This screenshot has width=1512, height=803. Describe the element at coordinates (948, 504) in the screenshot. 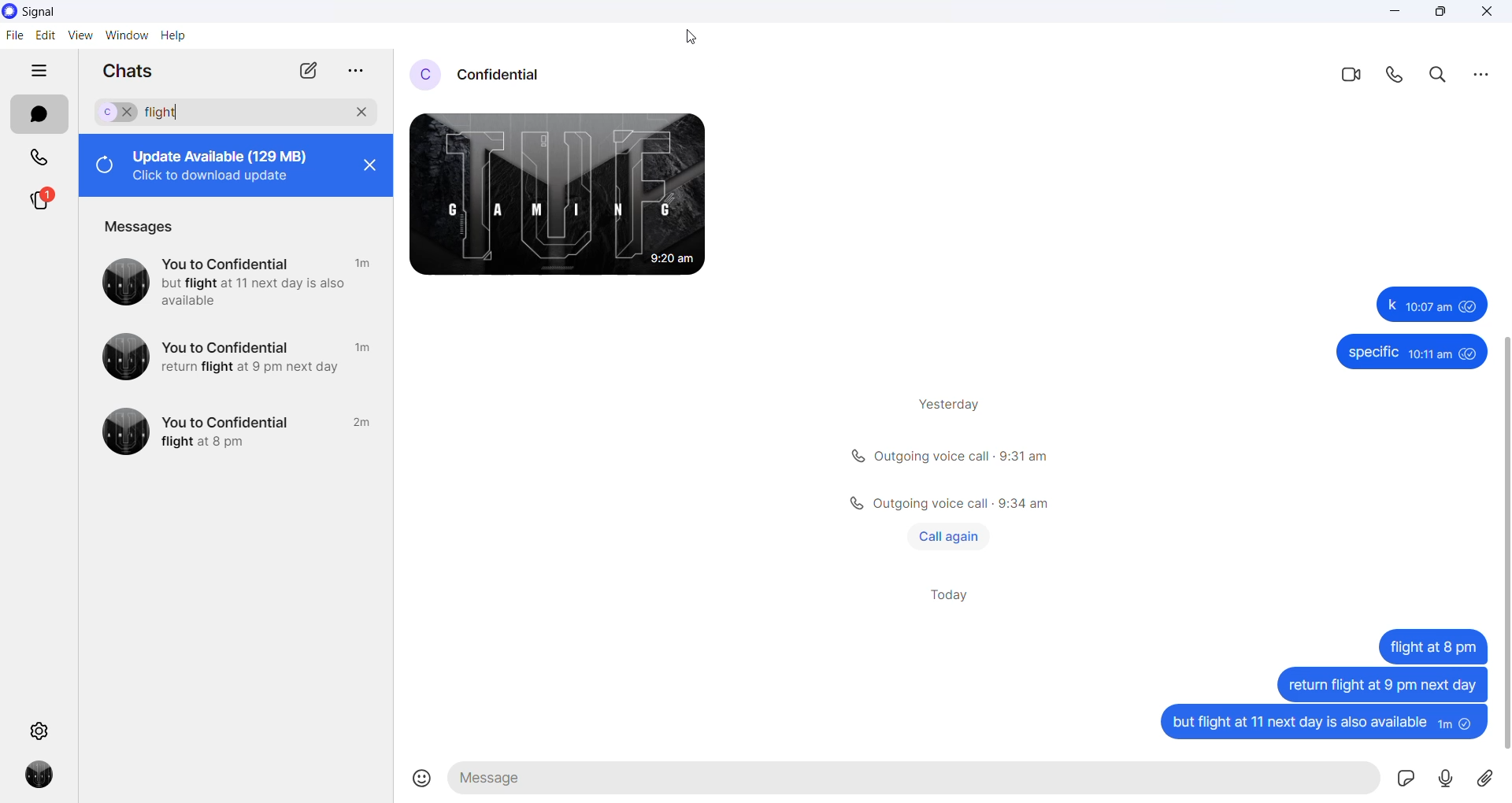

I see `` at that location.